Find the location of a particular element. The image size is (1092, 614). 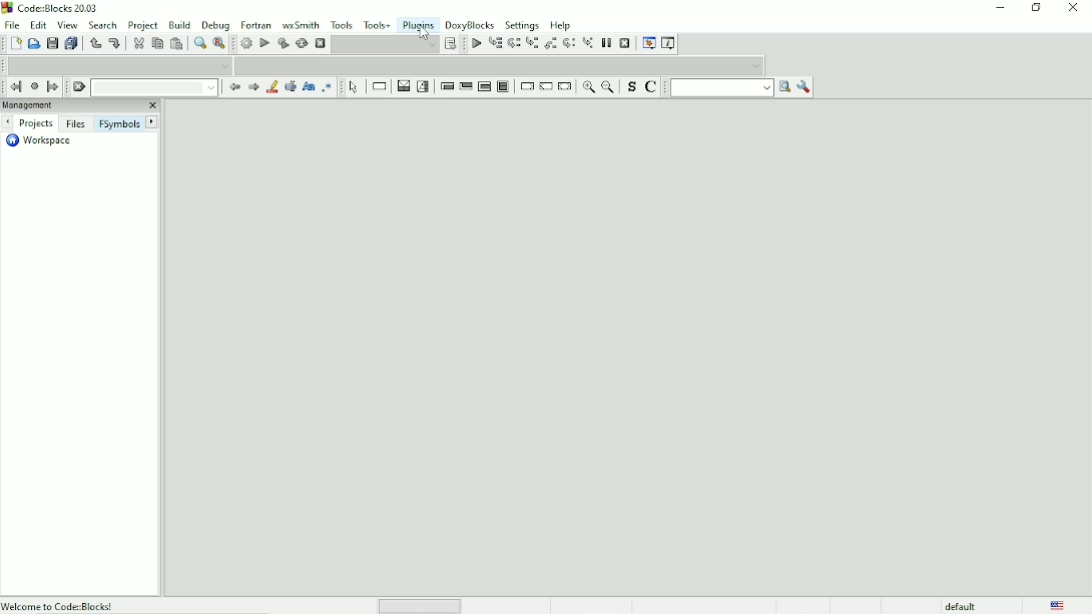

Clear is located at coordinates (78, 87).